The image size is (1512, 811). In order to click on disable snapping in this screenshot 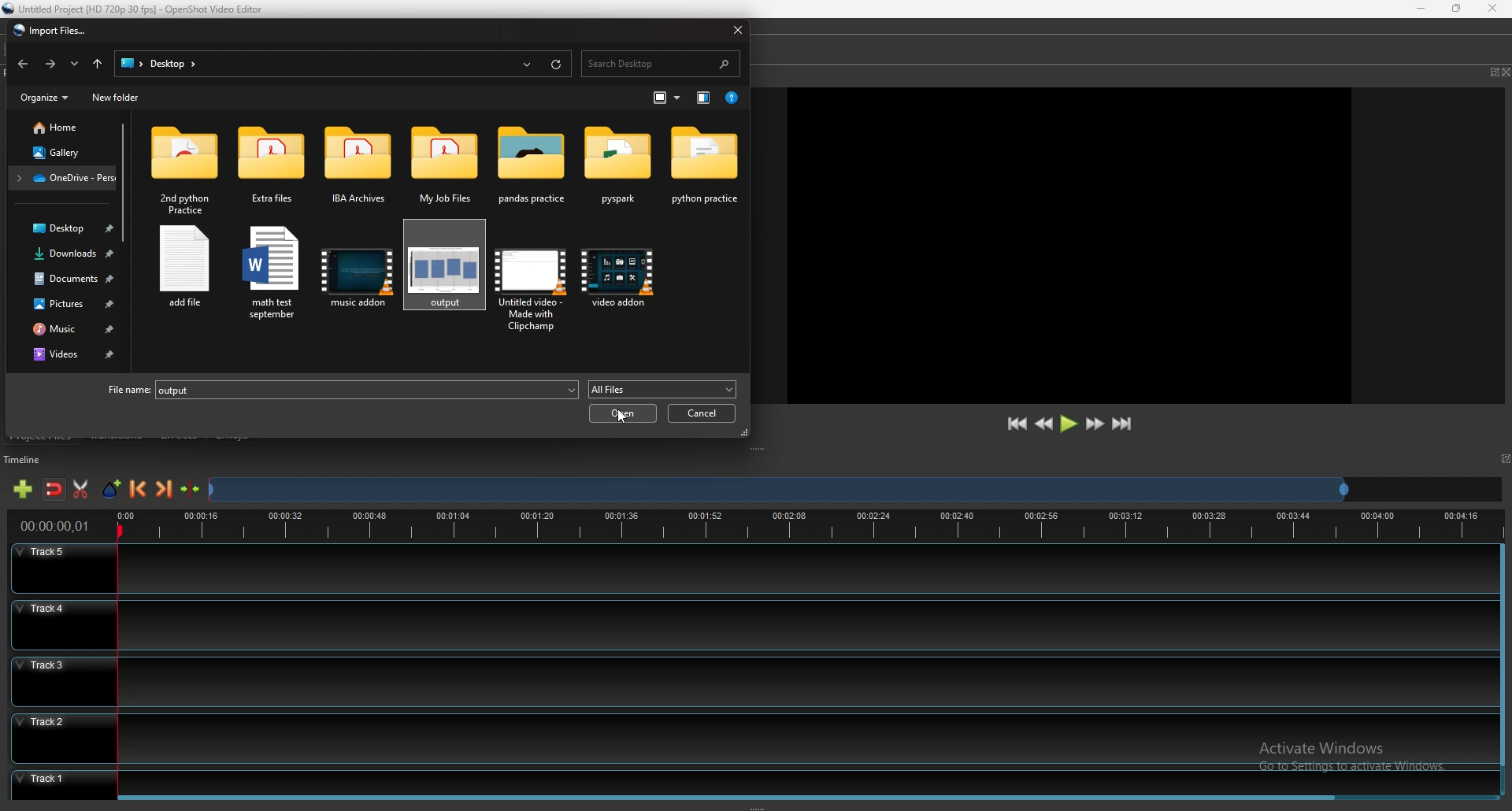, I will do `click(54, 490)`.